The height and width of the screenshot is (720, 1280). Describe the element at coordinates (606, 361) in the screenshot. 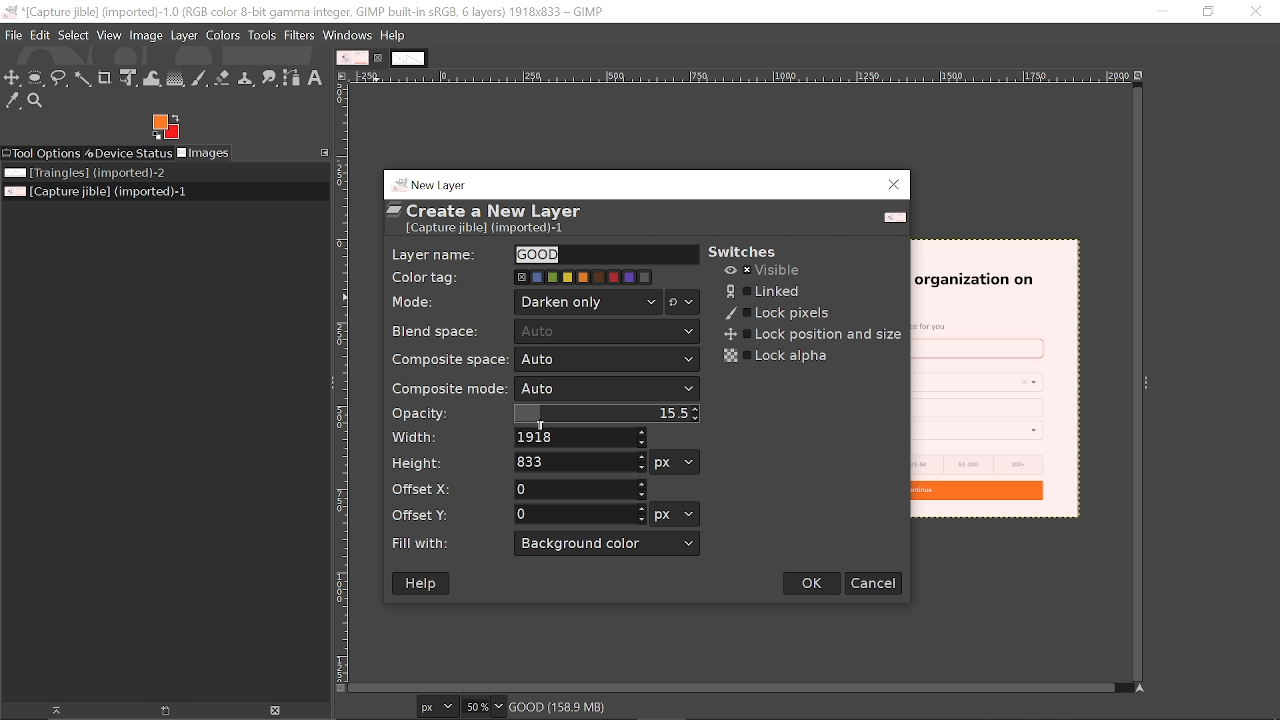

I see `Composite space` at that location.